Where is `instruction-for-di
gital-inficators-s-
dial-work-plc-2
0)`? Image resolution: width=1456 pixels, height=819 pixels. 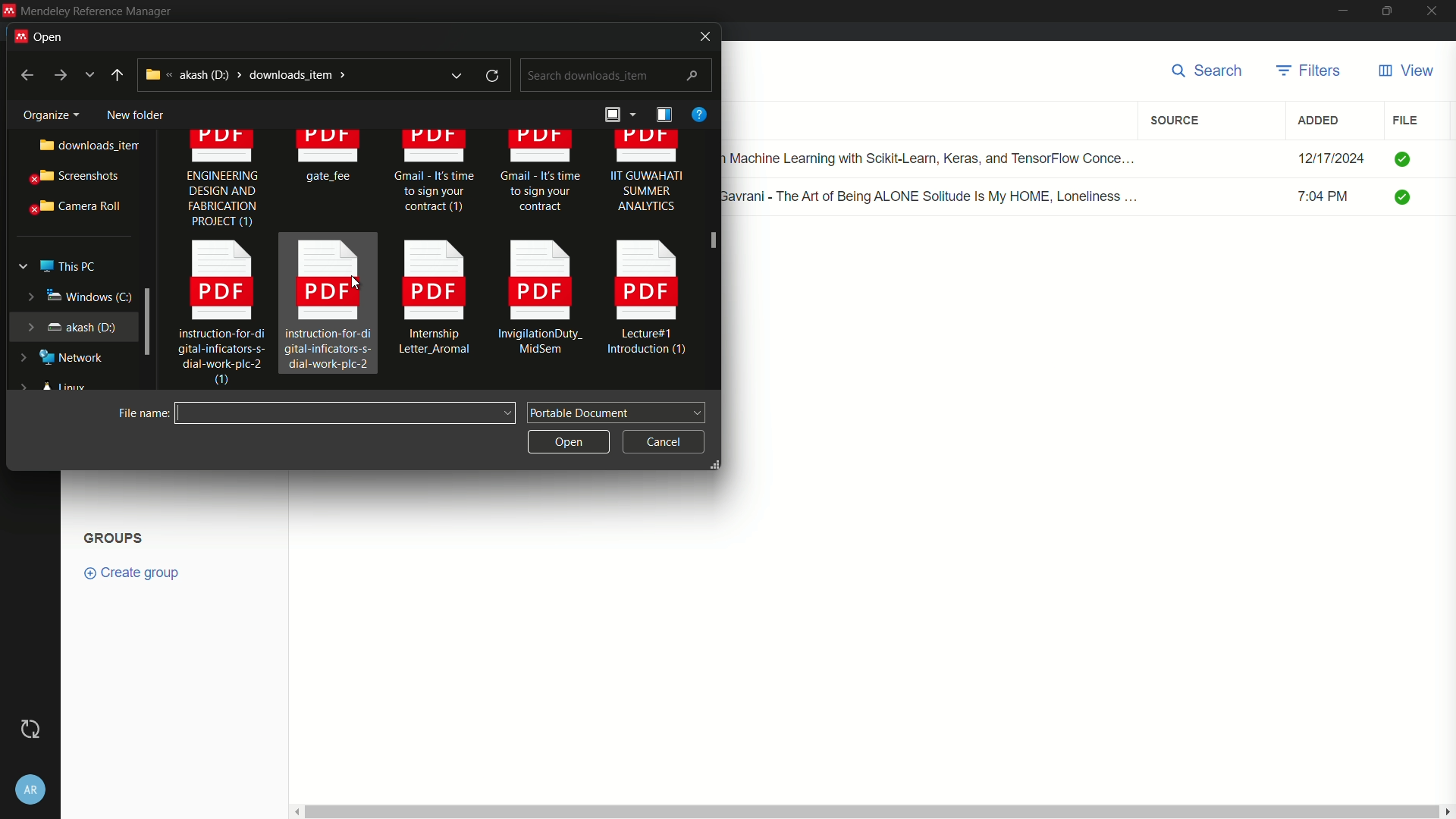 instruction-for-di
gital-inficators-s-
dial-work-plc-2
0) is located at coordinates (214, 315).